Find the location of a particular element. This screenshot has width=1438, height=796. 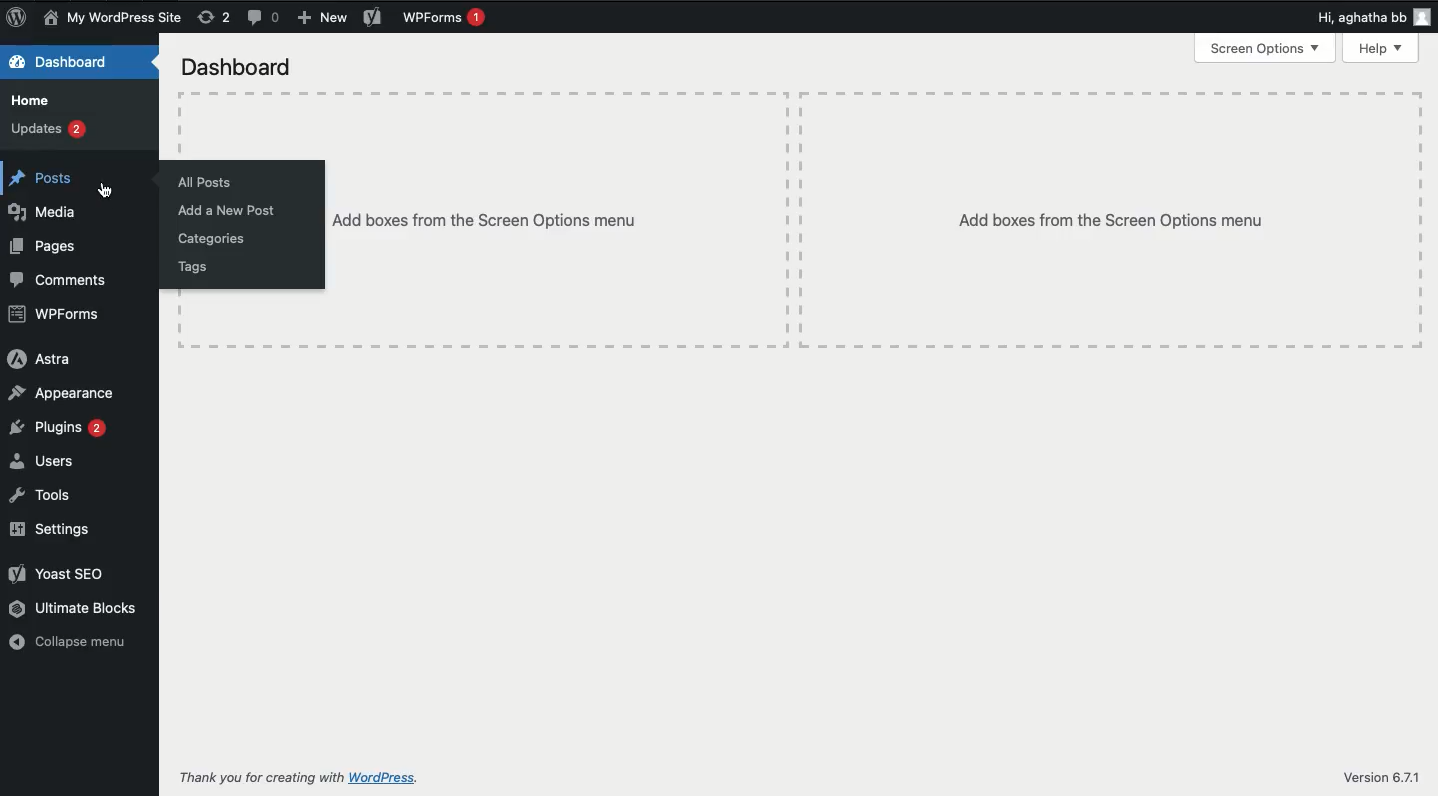

Collapse menu is located at coordinates (66, 640).